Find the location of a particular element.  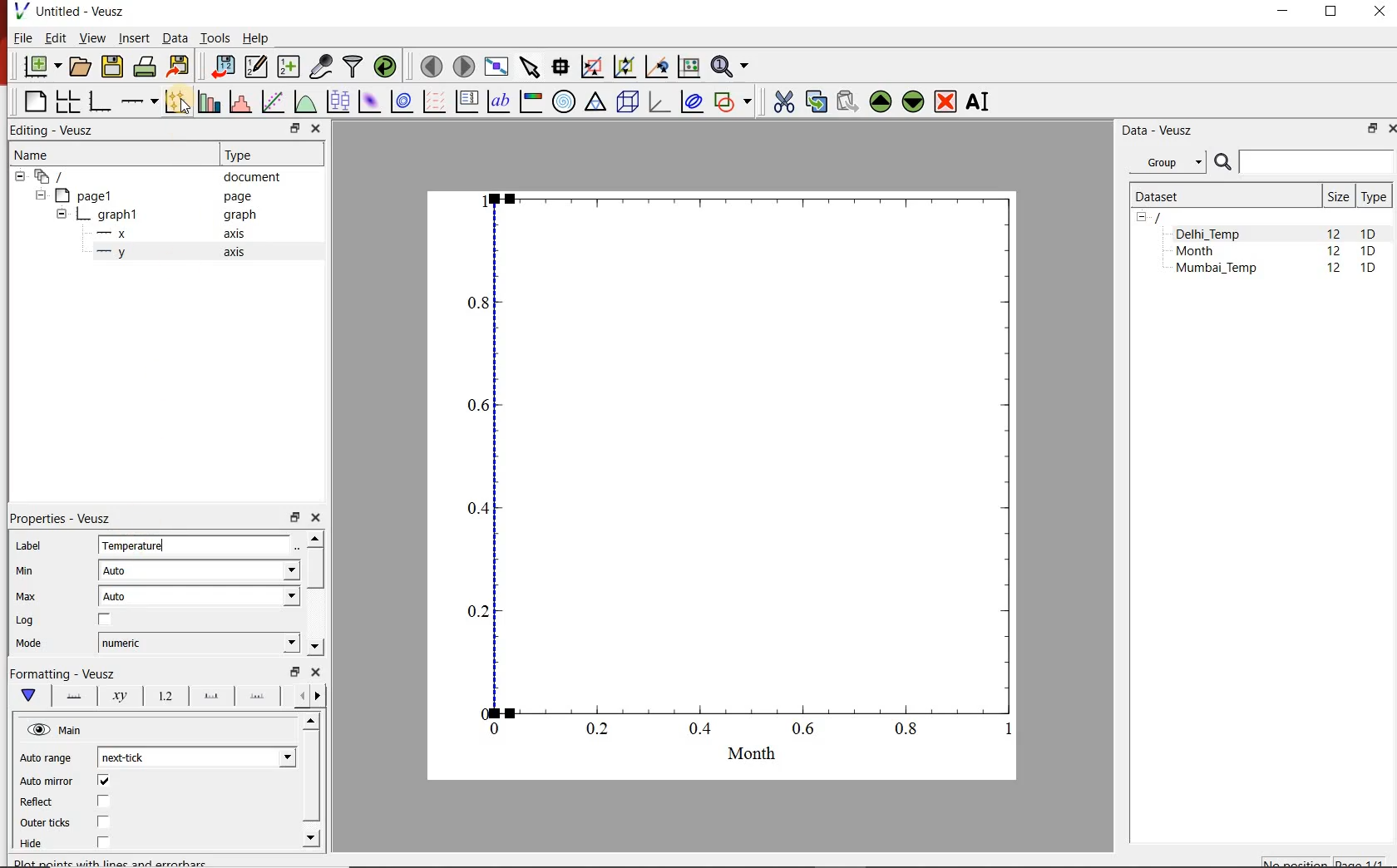

File is located at coordinates (22, 37).